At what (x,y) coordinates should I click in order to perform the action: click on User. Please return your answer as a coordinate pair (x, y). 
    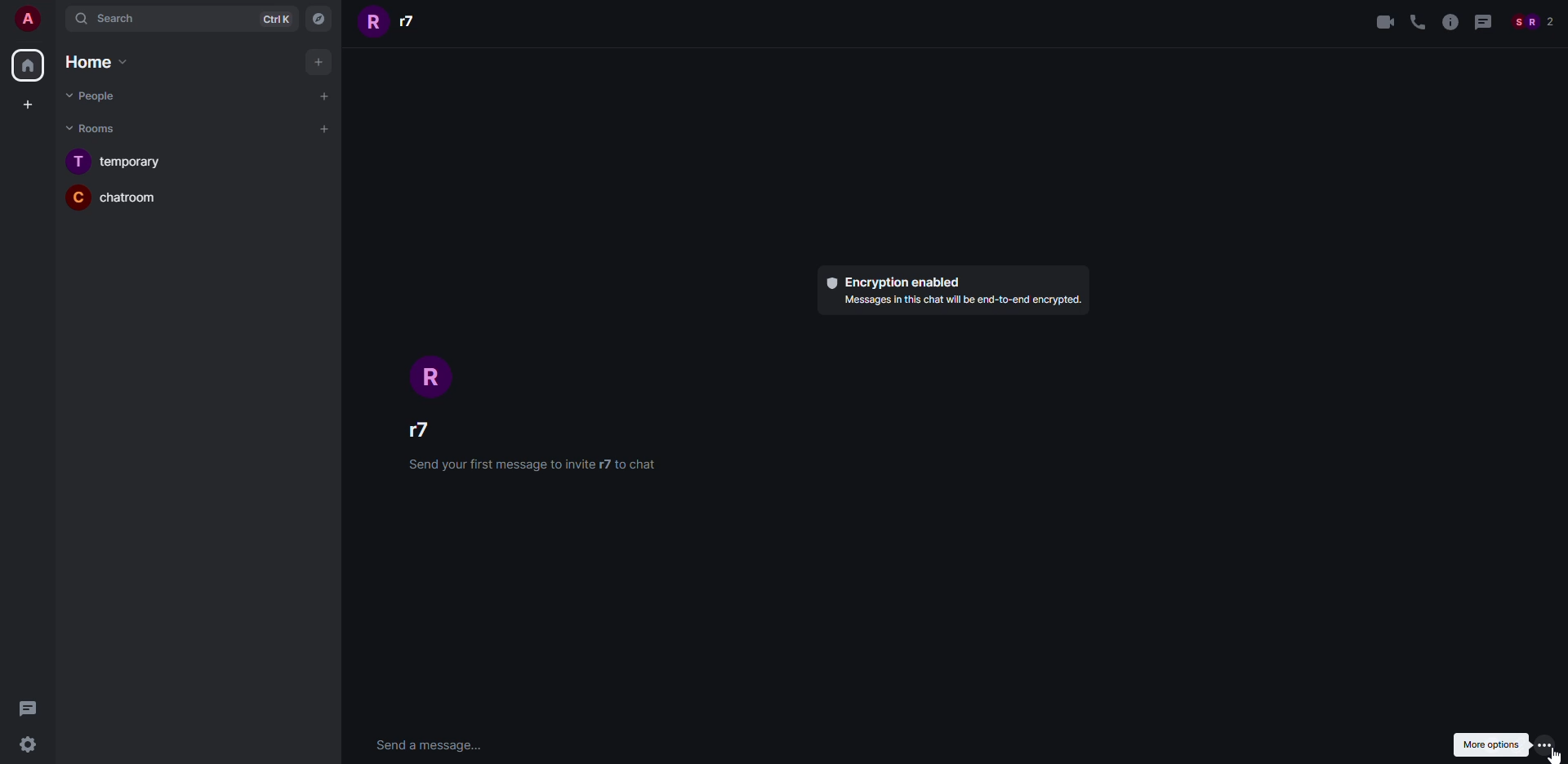
    Looking at the image, I should click on (24, 18).